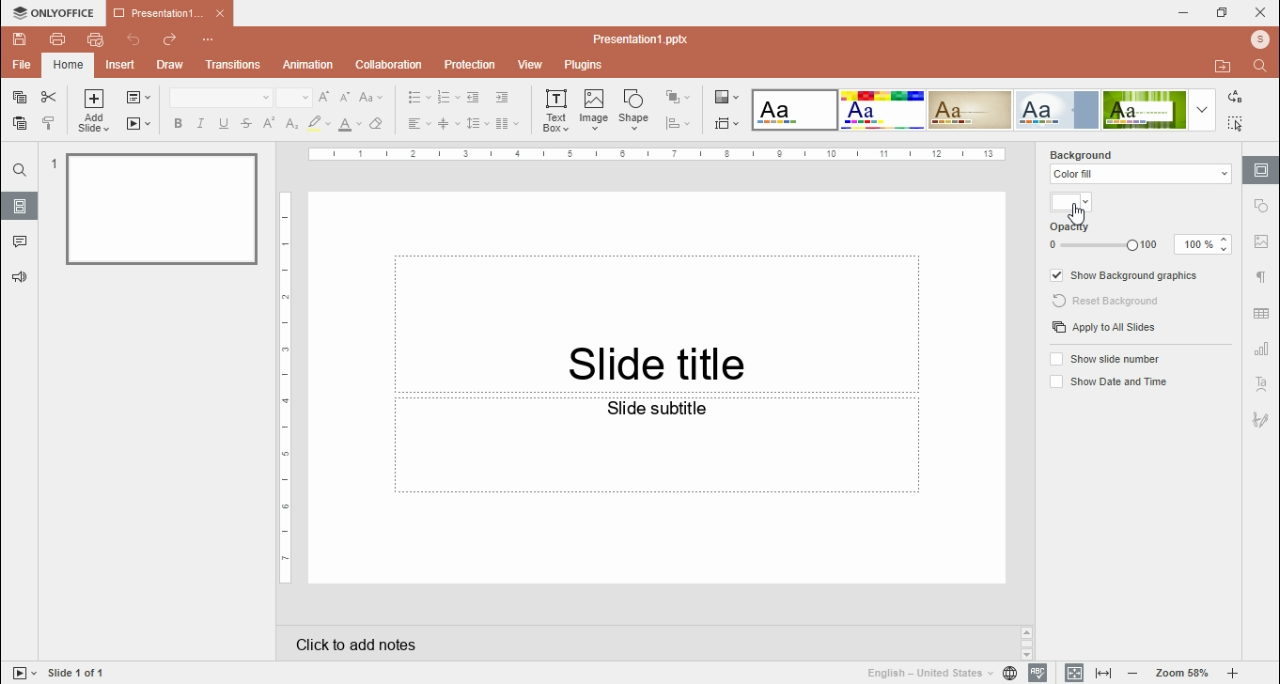 The image size is (1280, 684). What do you see at coordinates (1222, 12) in the screenshot?
I see `restore` at bounding box center [1222, 12].